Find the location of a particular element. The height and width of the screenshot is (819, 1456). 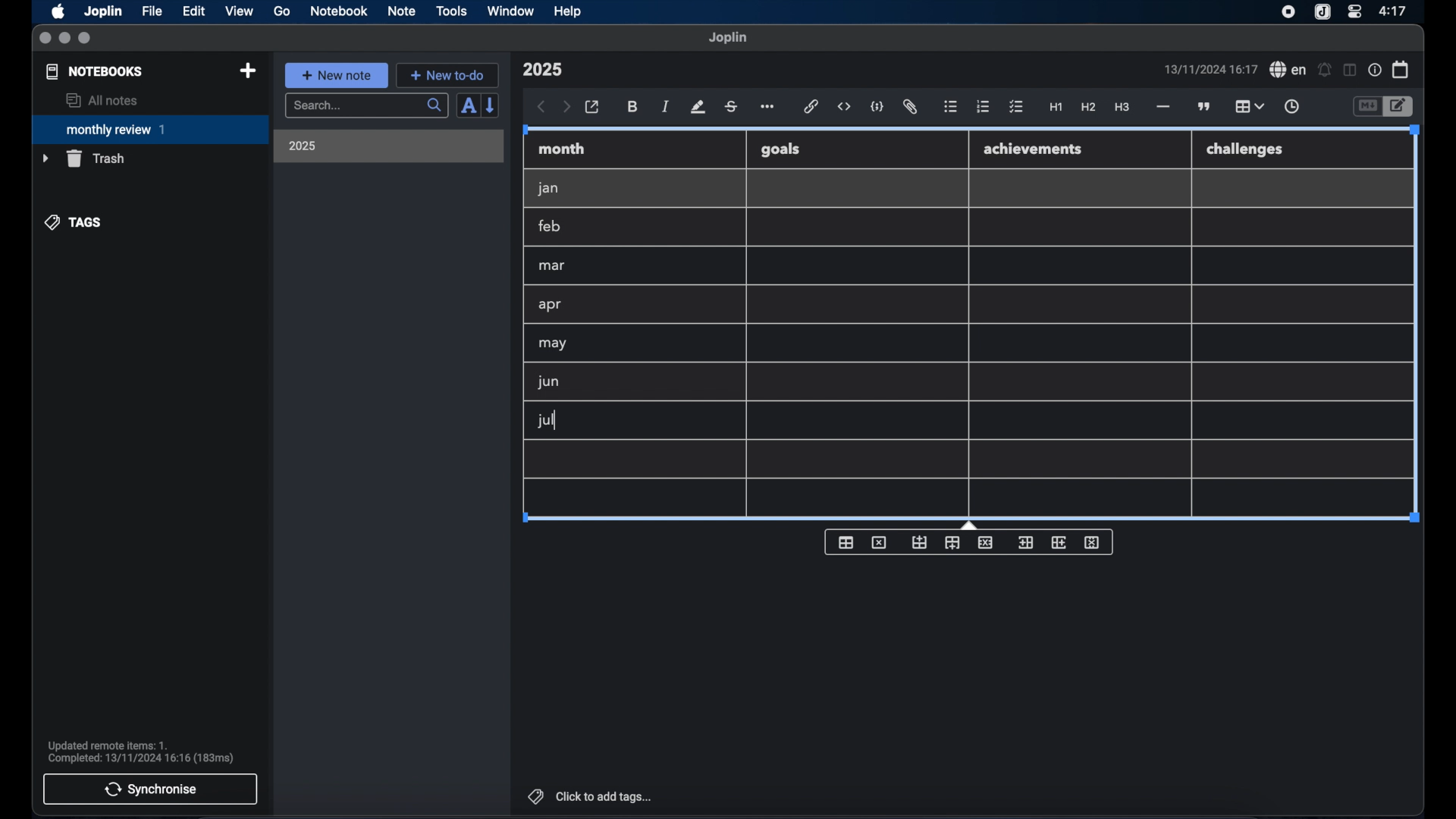

highlight is located at coordinates (698, 107).